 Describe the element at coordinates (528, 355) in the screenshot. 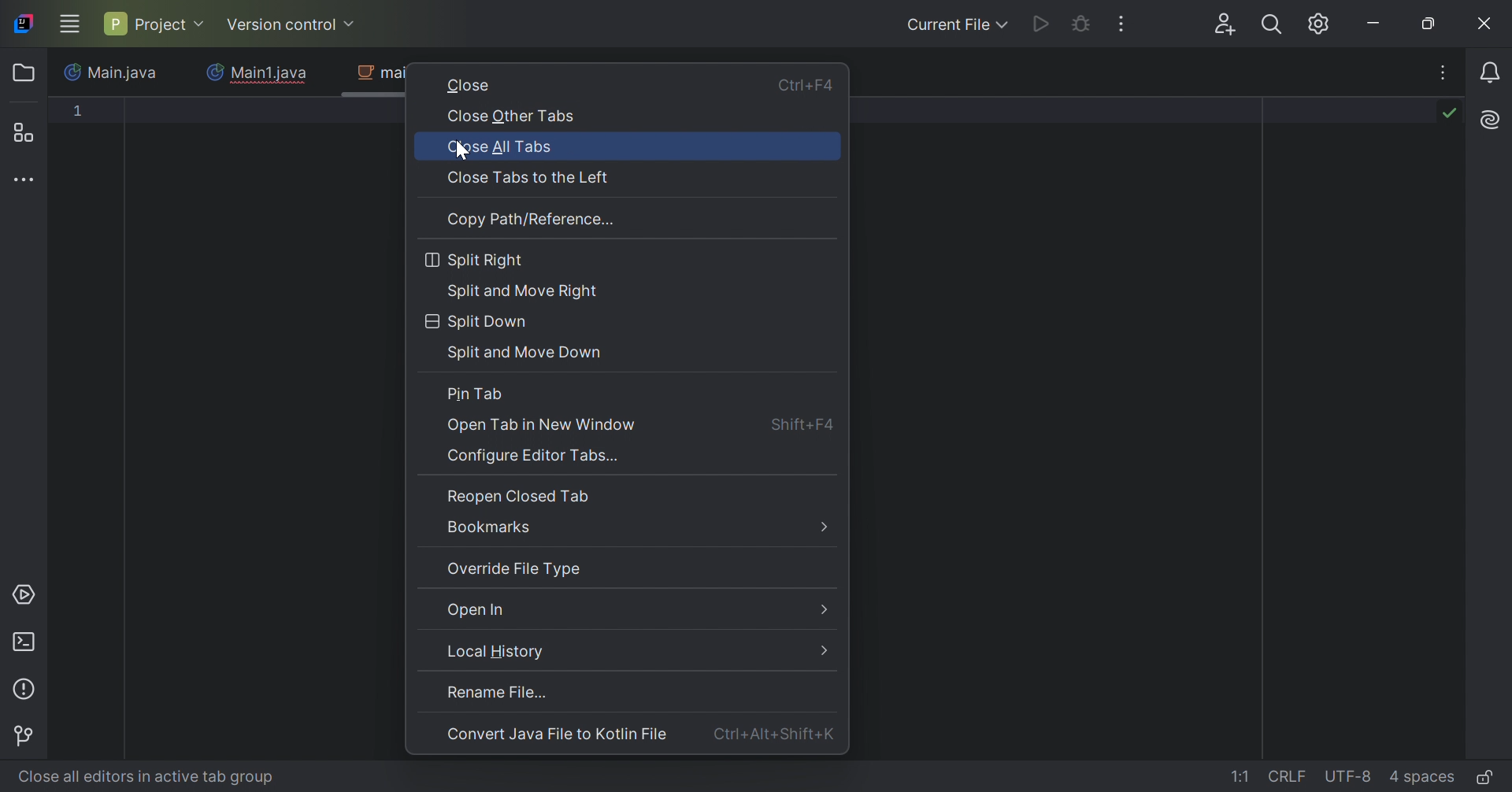

I see `Spit and Move Down` at that location.